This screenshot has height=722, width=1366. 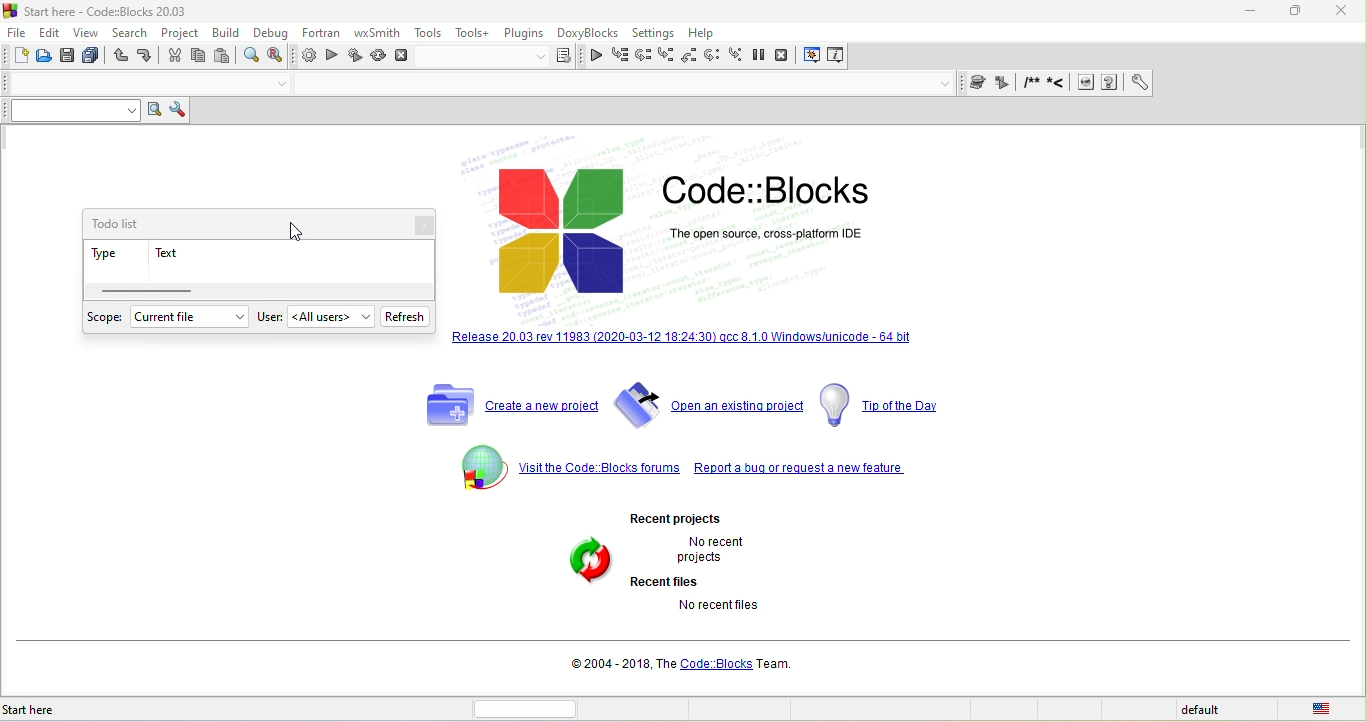 What do you see at coordinates (200, 58) in the screenshot?
I see `copy` at bounding box center [200, 58].